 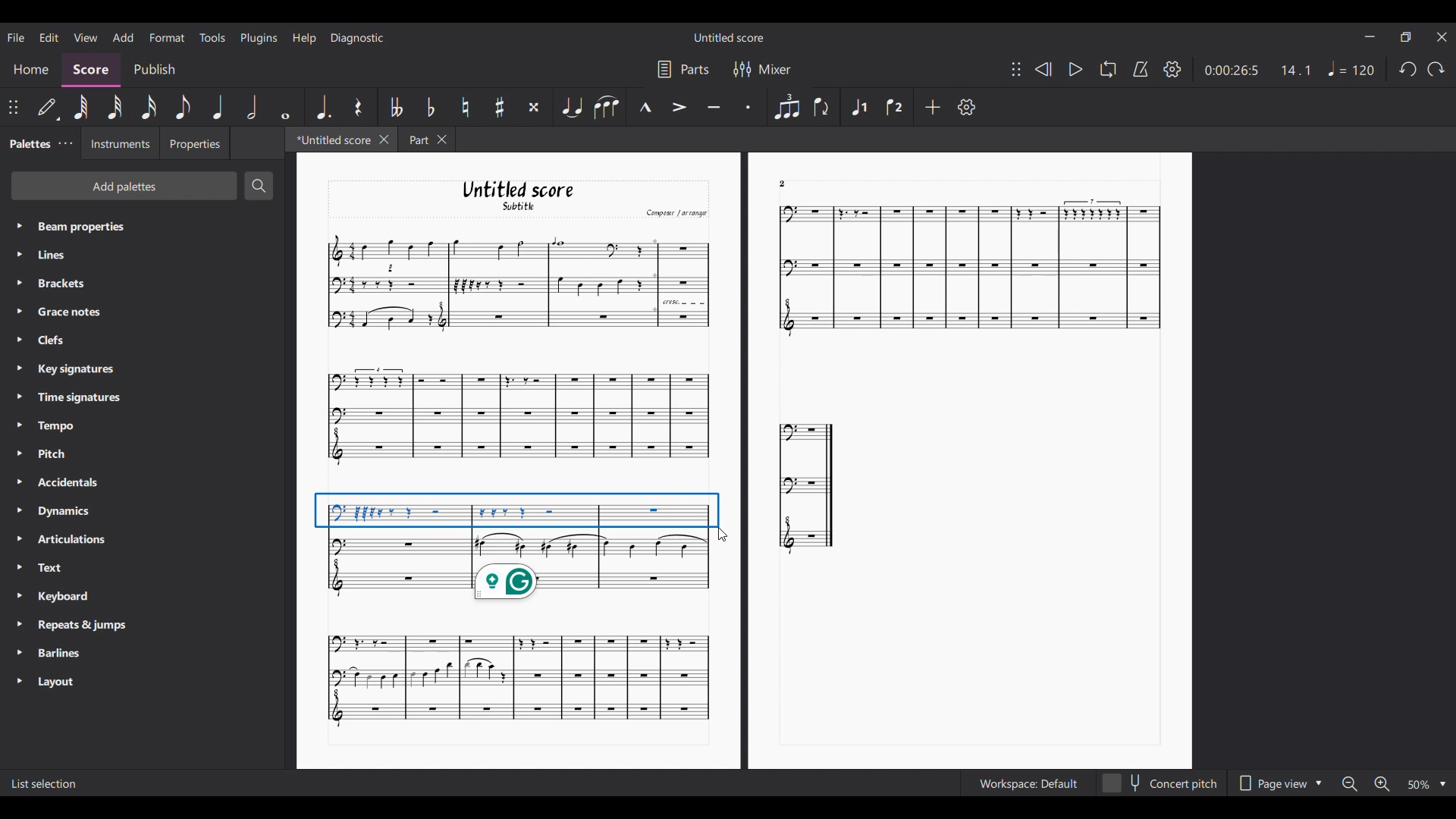 What do you see at coordinates (465, 107) in the screenshot?
I see `Toggle natural` at bounding box center [465, 107].